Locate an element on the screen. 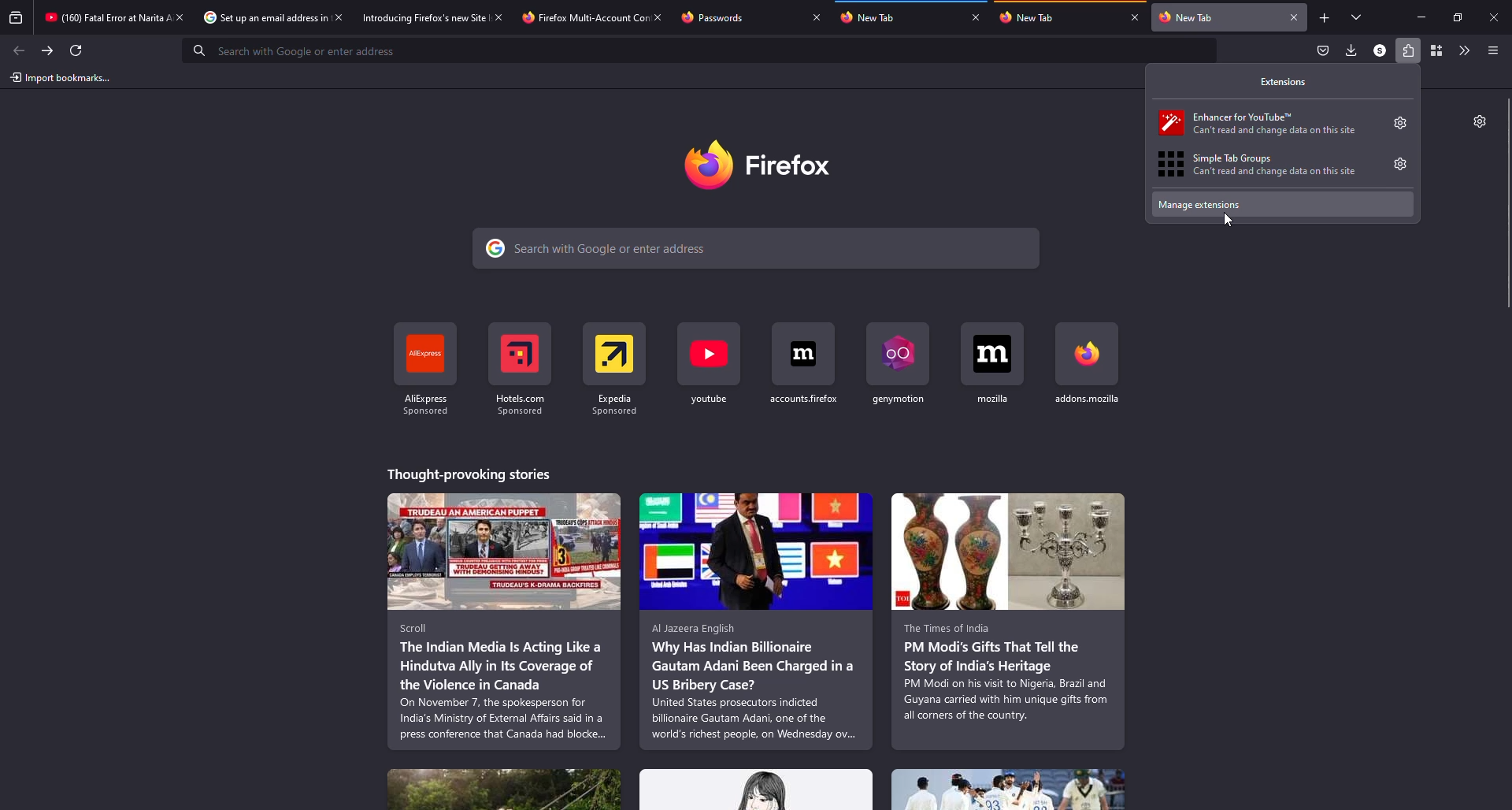 This screenshot has height=810, width=1512. enhance for youtube is located at coordinates (1266, 121).